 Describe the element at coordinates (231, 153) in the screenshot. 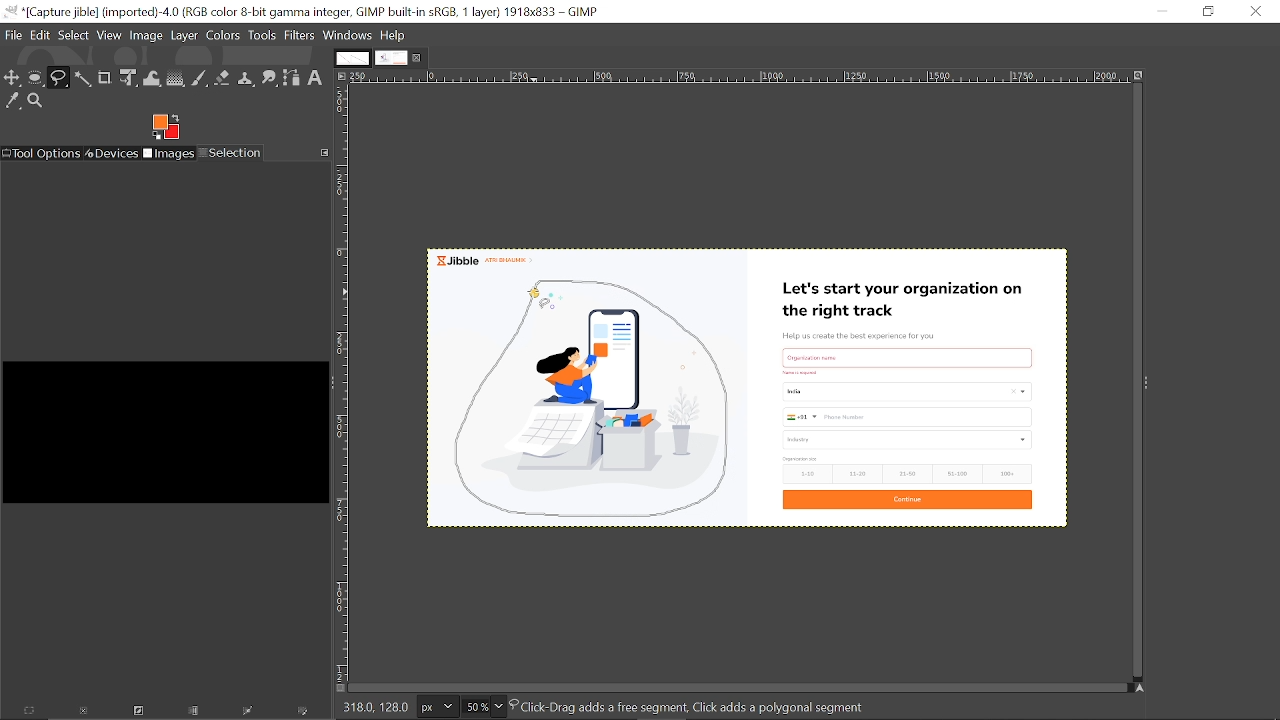

I see `Selection` at that location.